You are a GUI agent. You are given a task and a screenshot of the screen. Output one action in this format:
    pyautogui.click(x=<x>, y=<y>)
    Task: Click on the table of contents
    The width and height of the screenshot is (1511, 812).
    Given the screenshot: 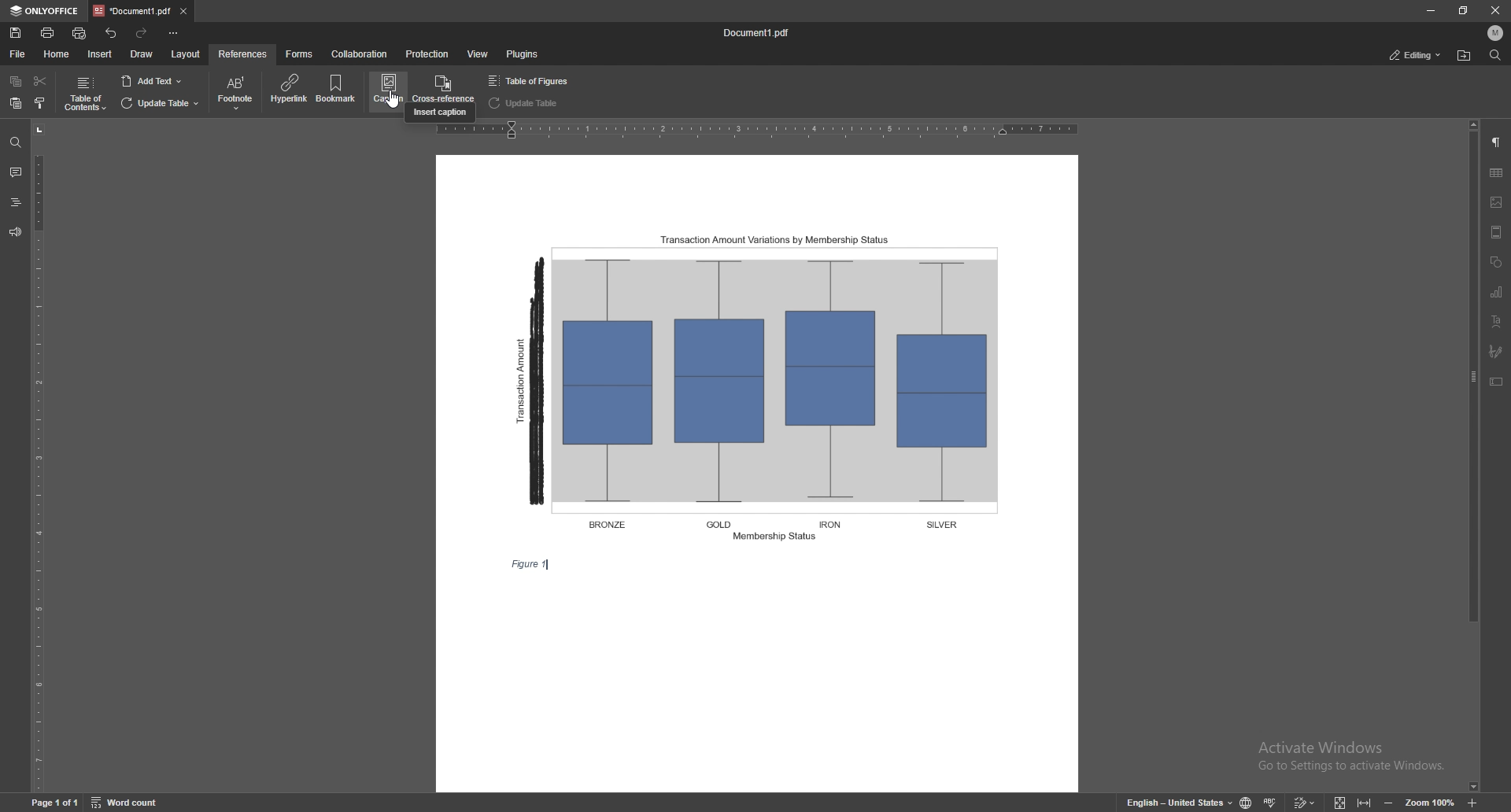 What is the action you would take?
    pyautogui.click(x=84, y=94)
    